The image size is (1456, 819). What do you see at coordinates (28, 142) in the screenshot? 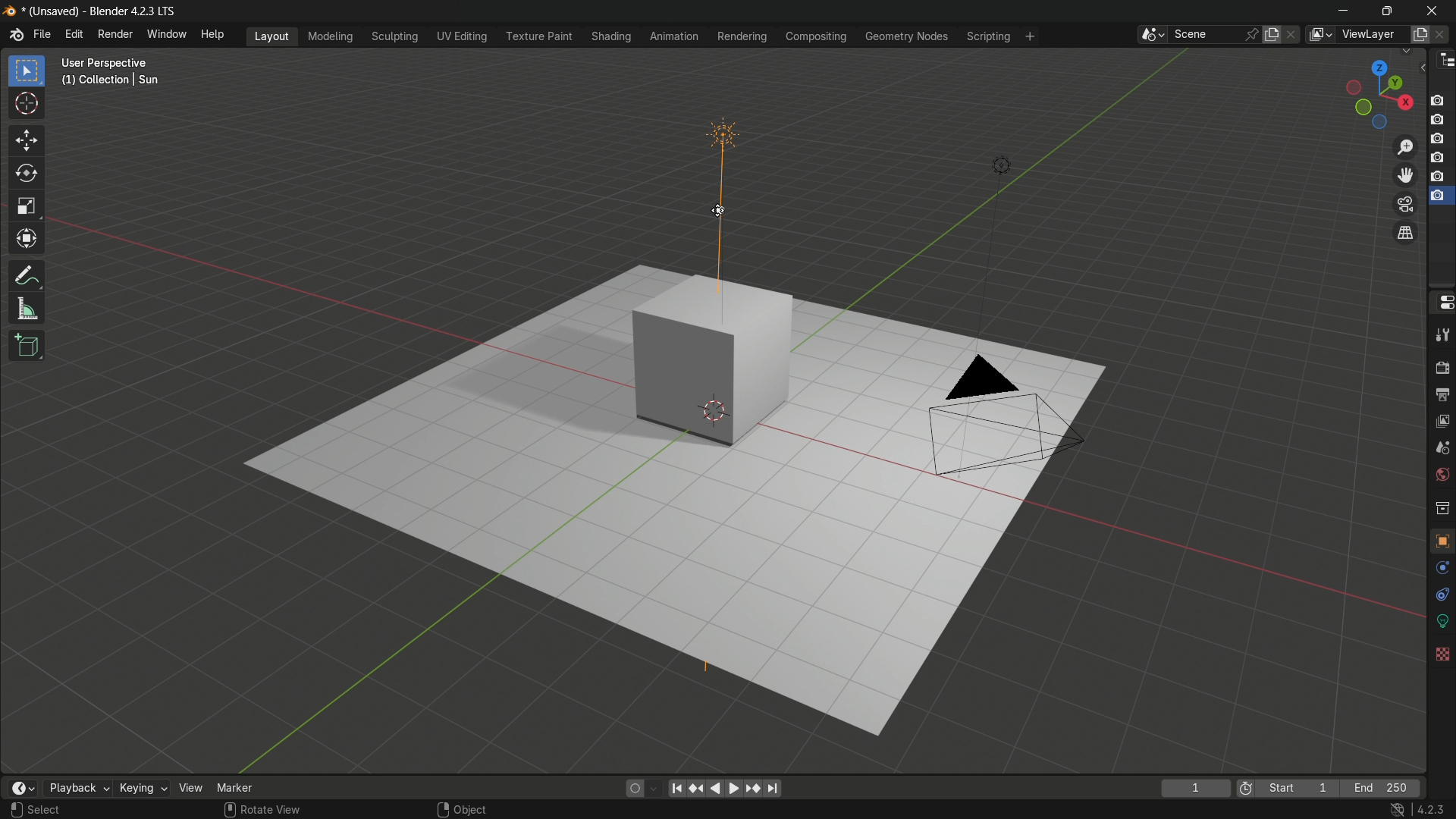
I see `move` at bounding box center [28, 142].